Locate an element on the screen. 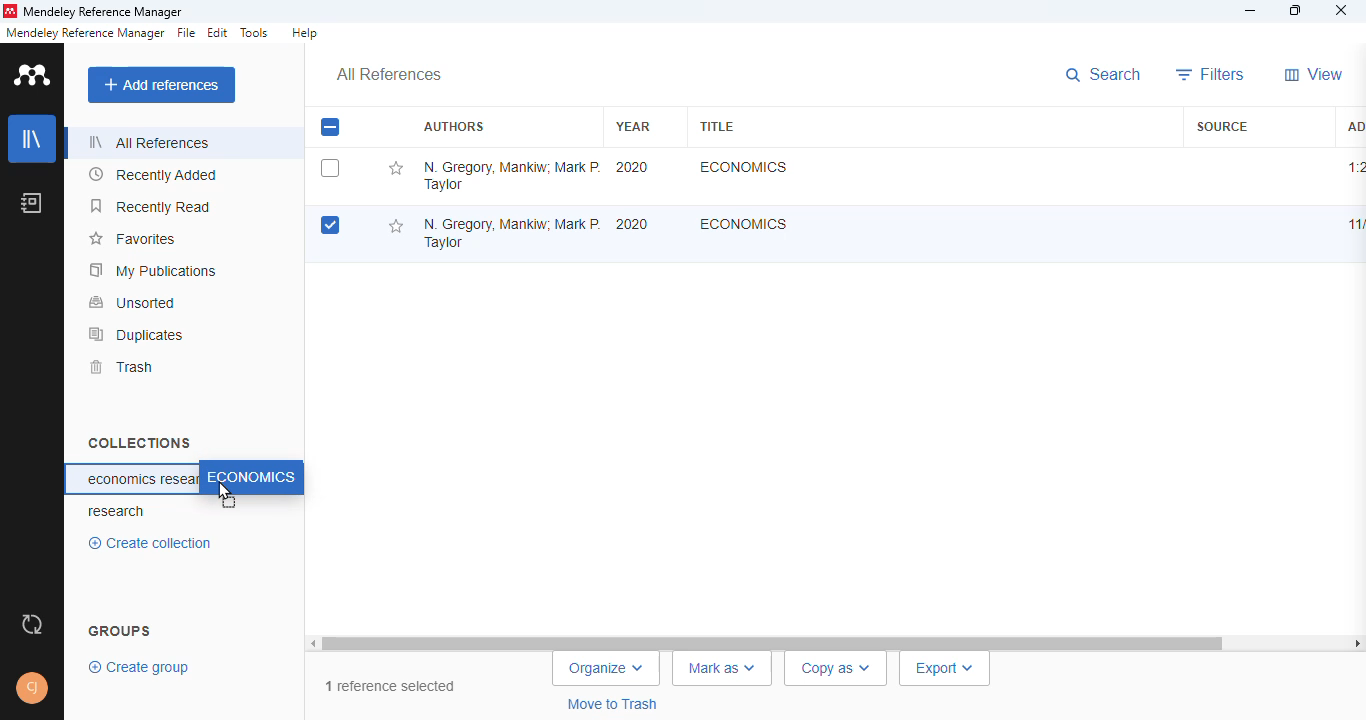 The image size is (1366, 720). 1 refrence selected is located at coordinates (389, 681).